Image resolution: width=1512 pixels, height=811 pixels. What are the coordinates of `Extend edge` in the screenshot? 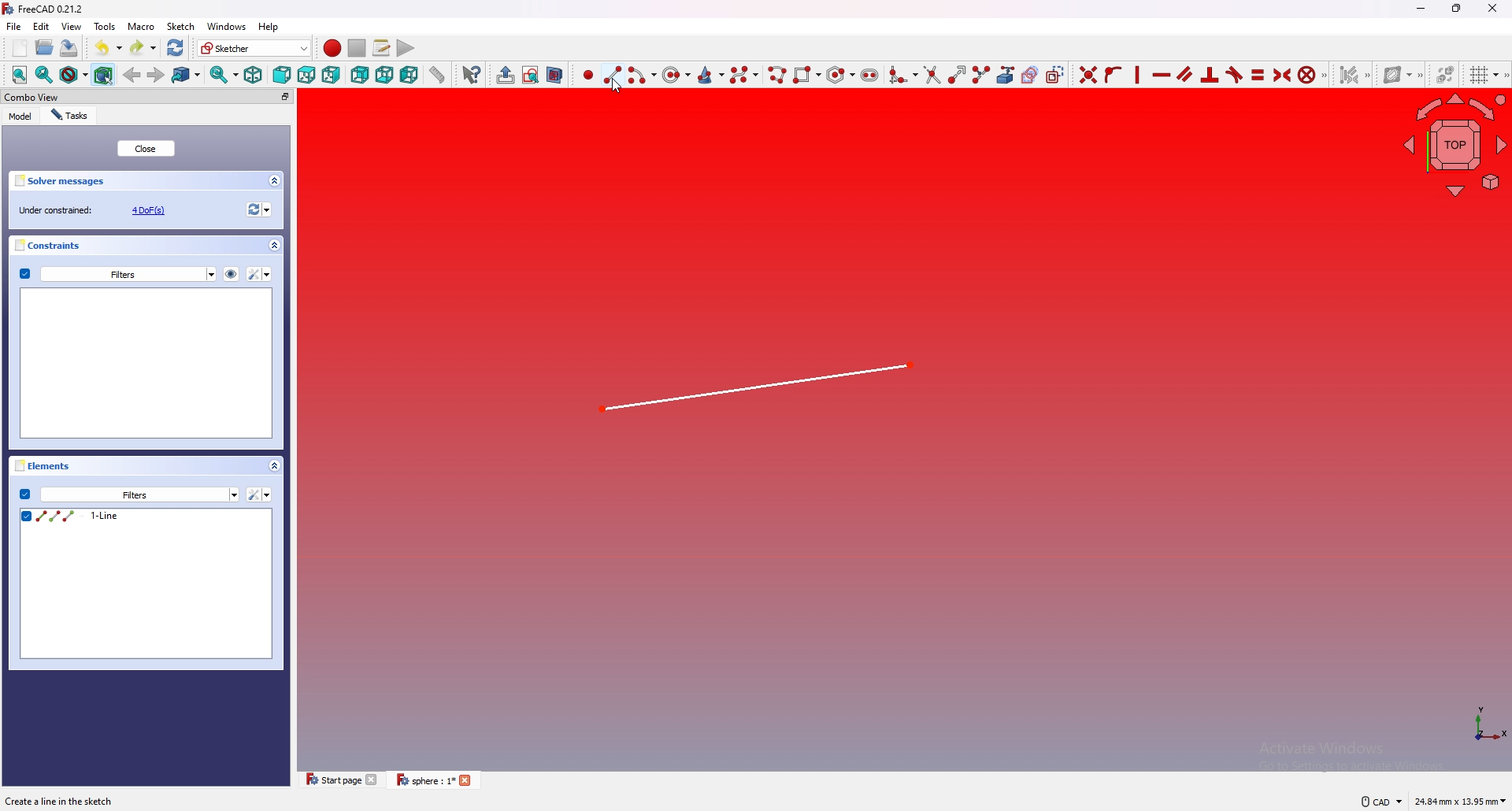 It's located at (955, 74).